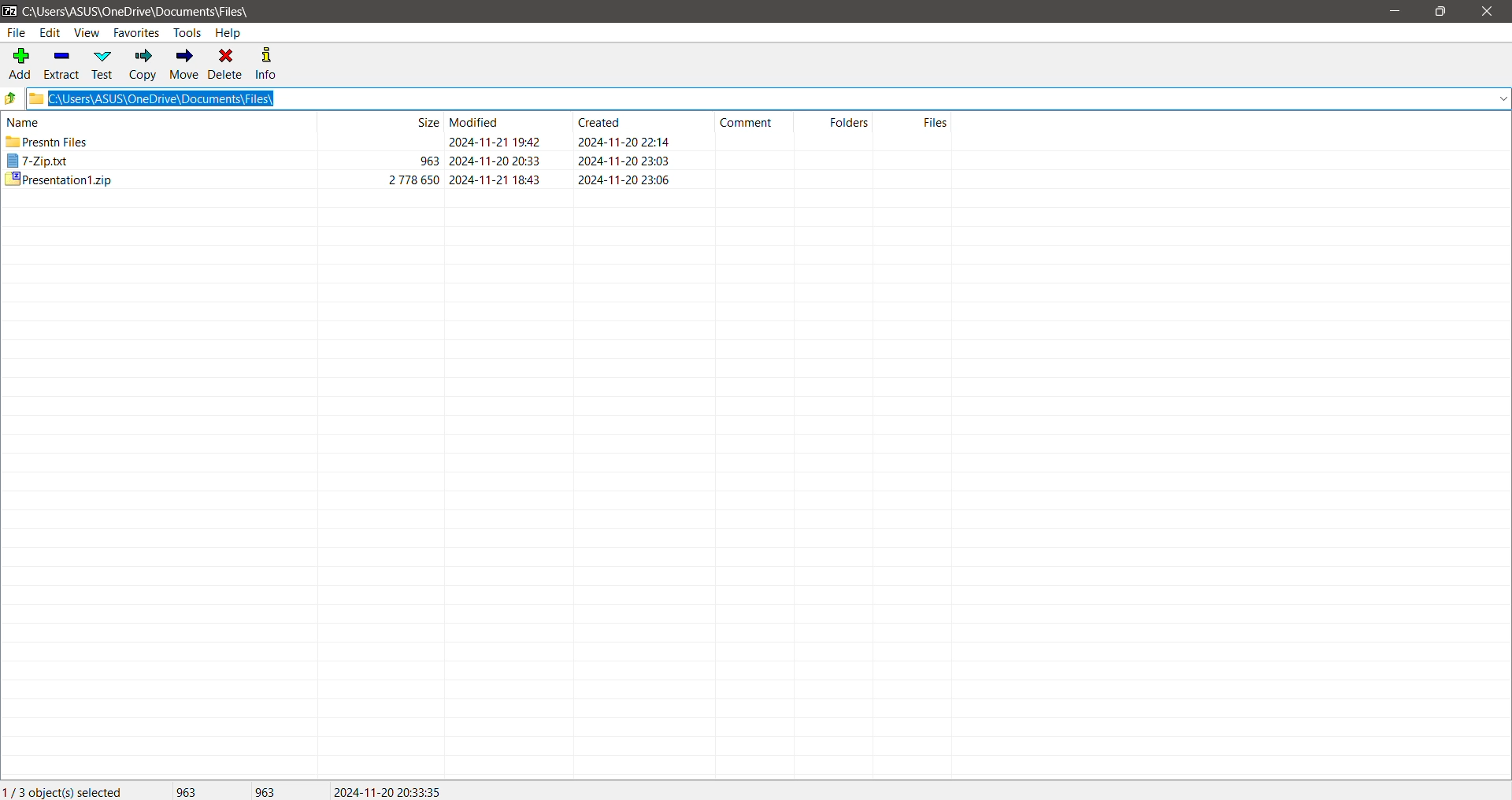 This screenshot has height=800, width=1512. I want to click on Favorites, so click(138, 33).